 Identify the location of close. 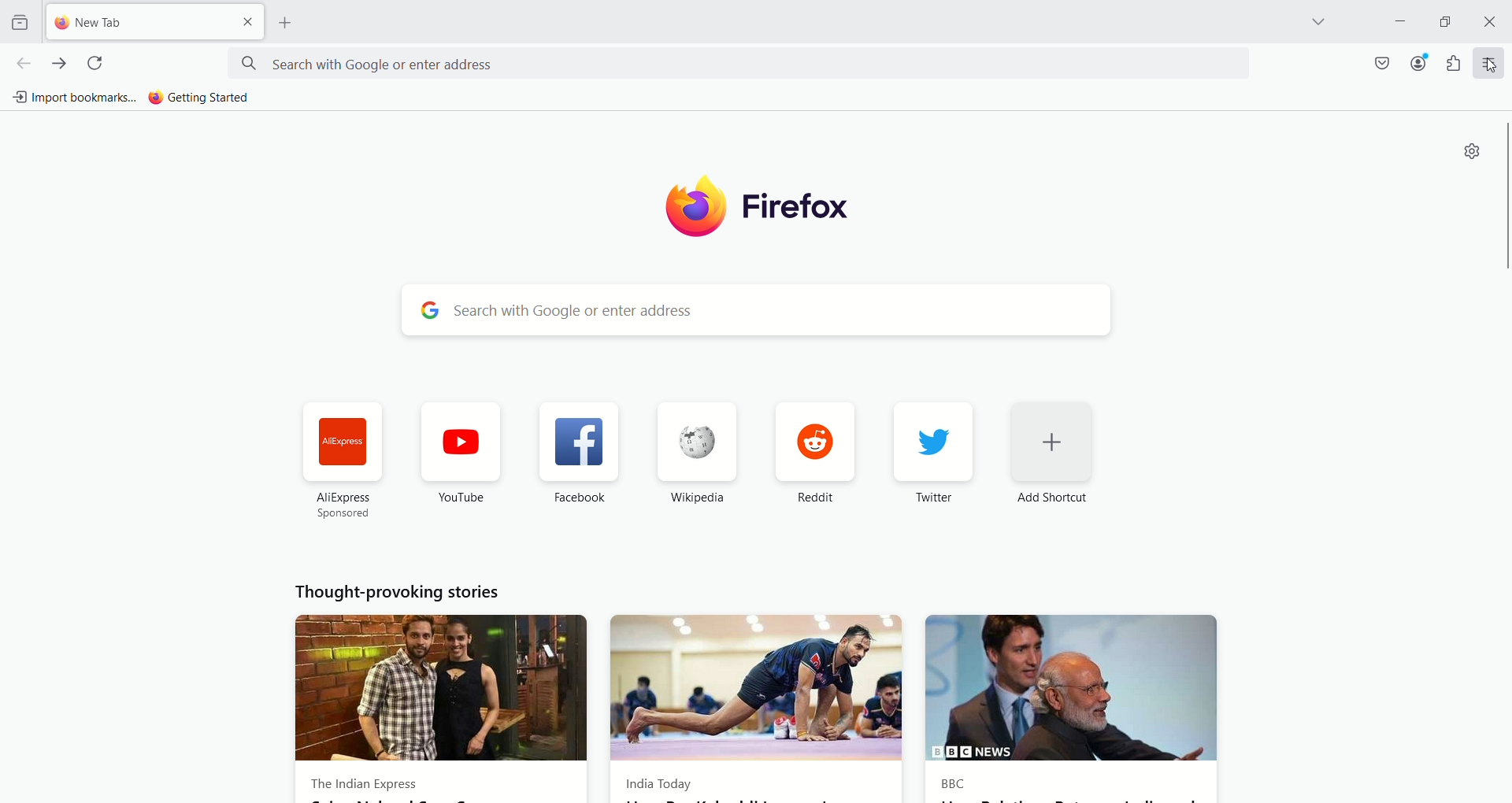
(247, 21).